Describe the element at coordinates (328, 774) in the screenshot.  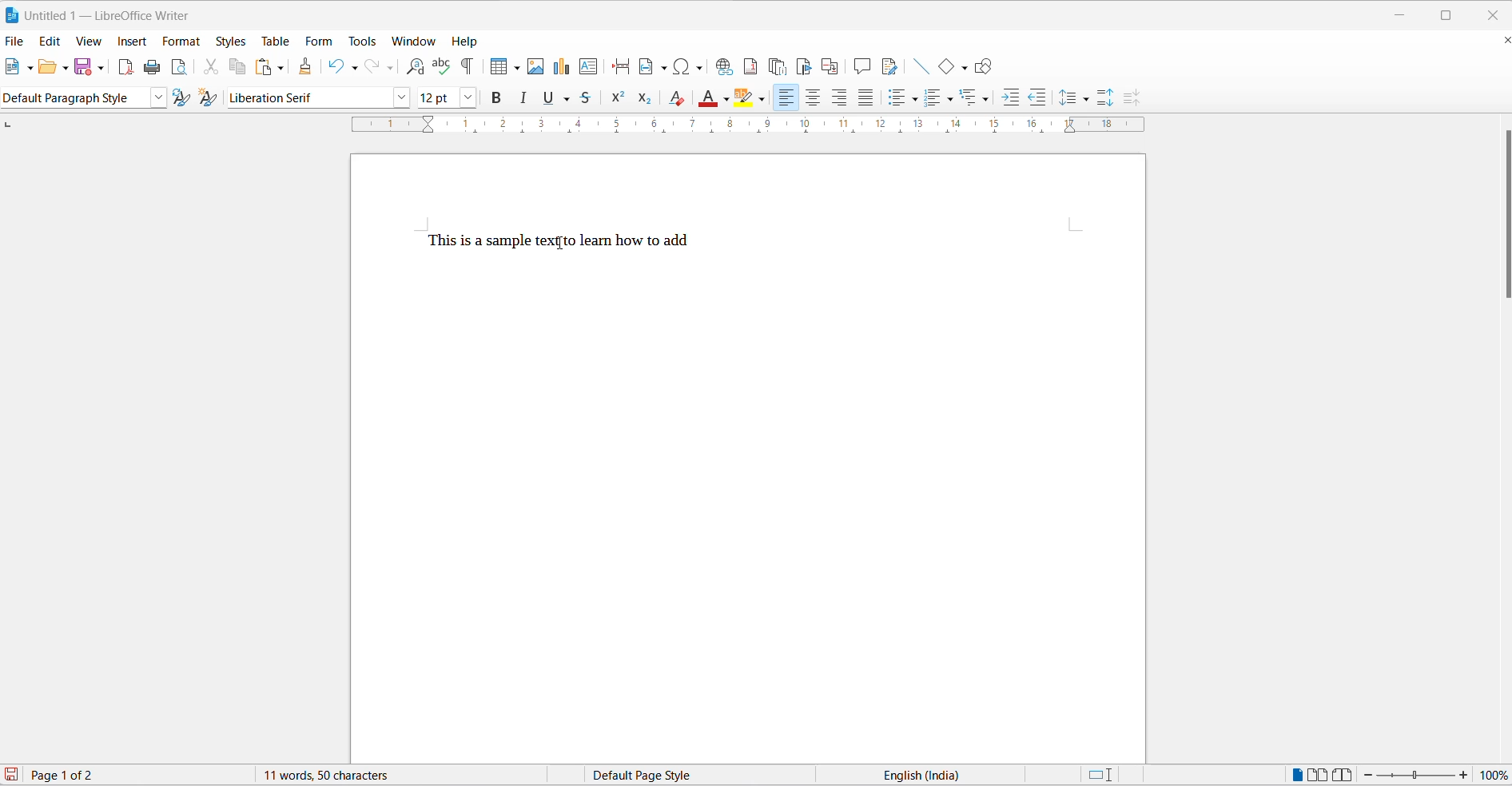
I see `11 words, 50 characters` at that location.